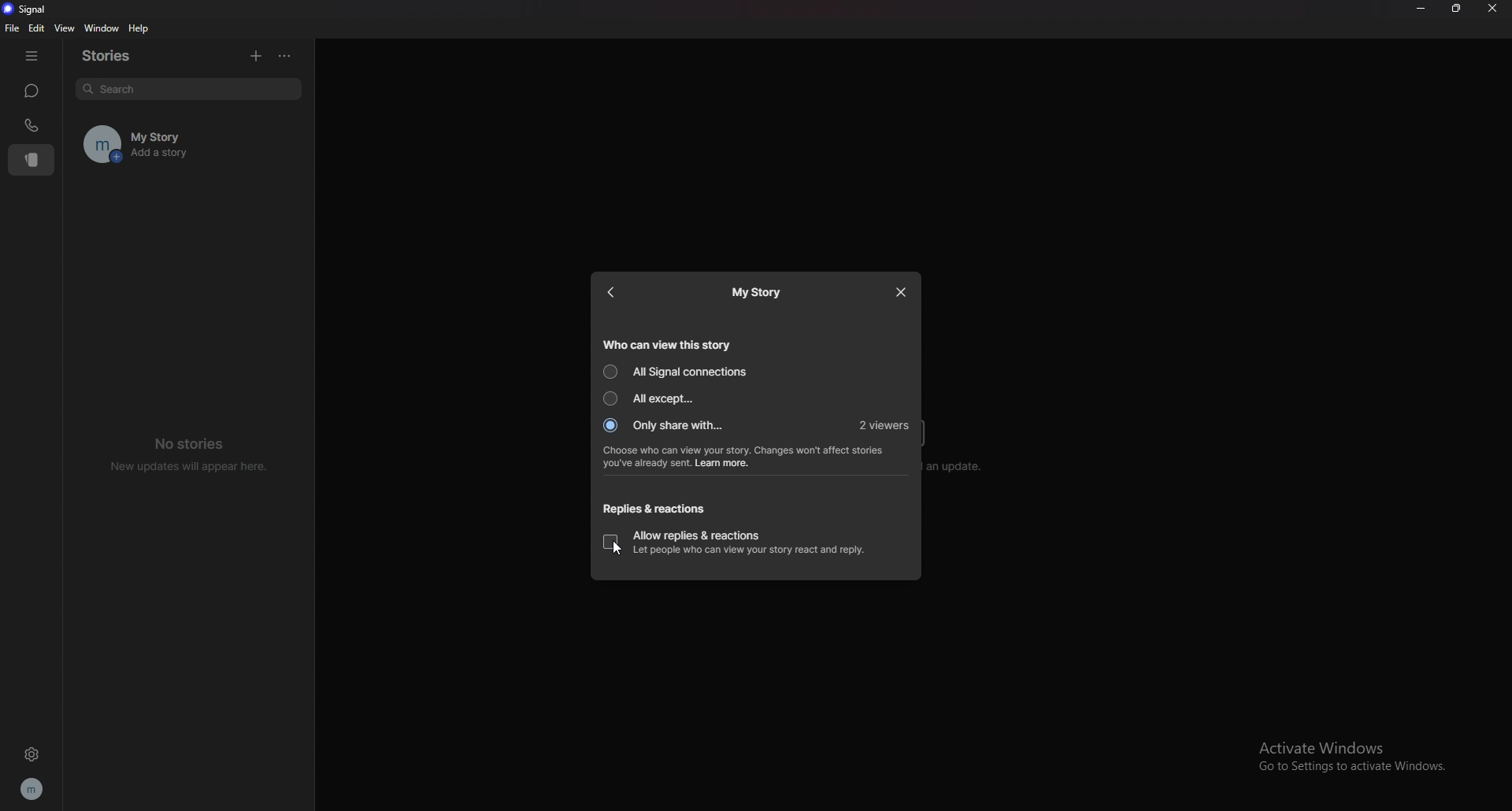 The width and height of the screenshot is (1512, 811). What do you see at coordinates (139, 28) in the screenshot?
I see `help` at bounding box center [139, 28].